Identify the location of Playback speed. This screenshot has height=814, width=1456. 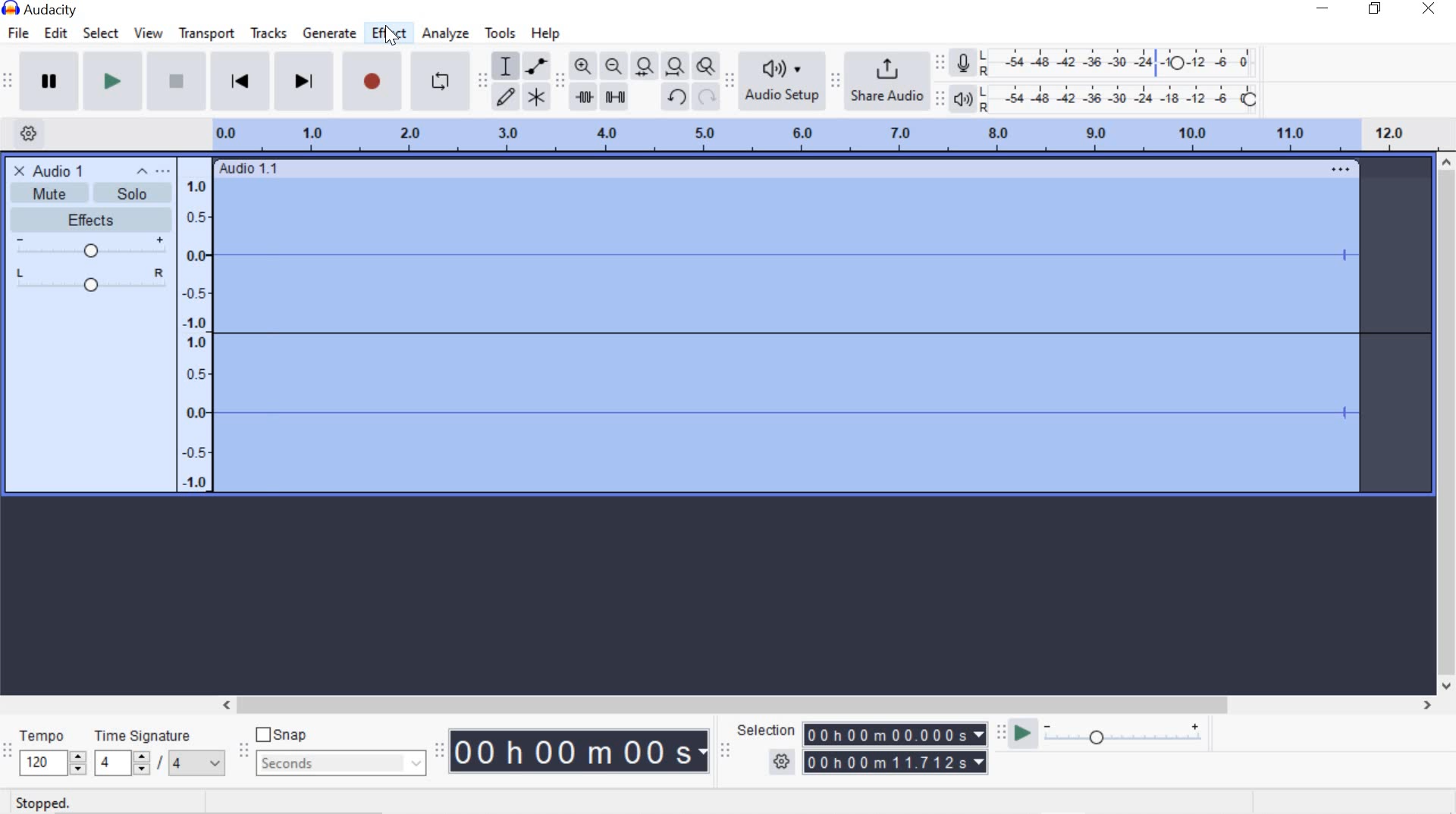
(1128, 735).